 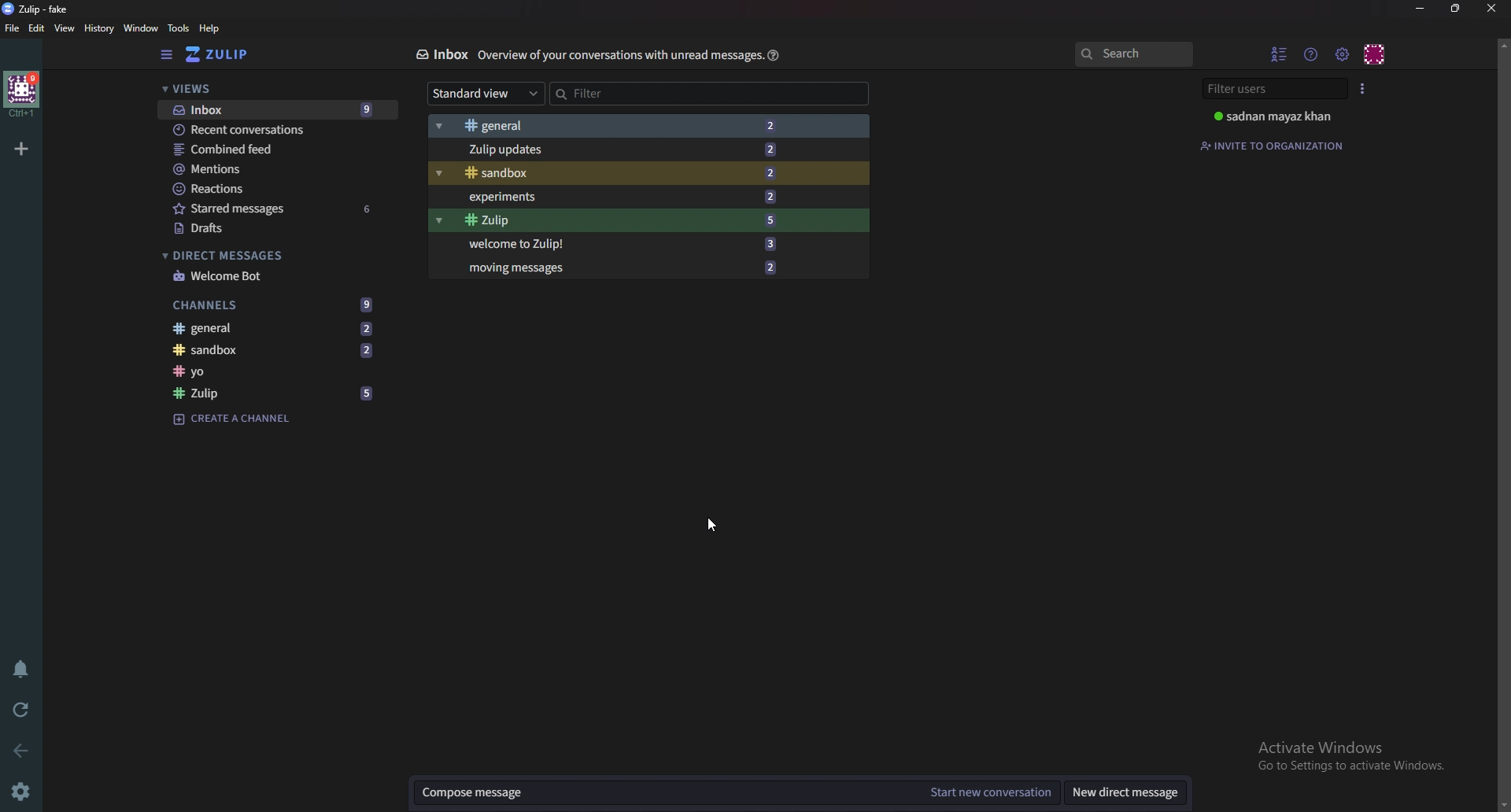 What do you see at coordinates (623, 94) in the screenshot?
I see `Filter` at bounding box center [623, 94].